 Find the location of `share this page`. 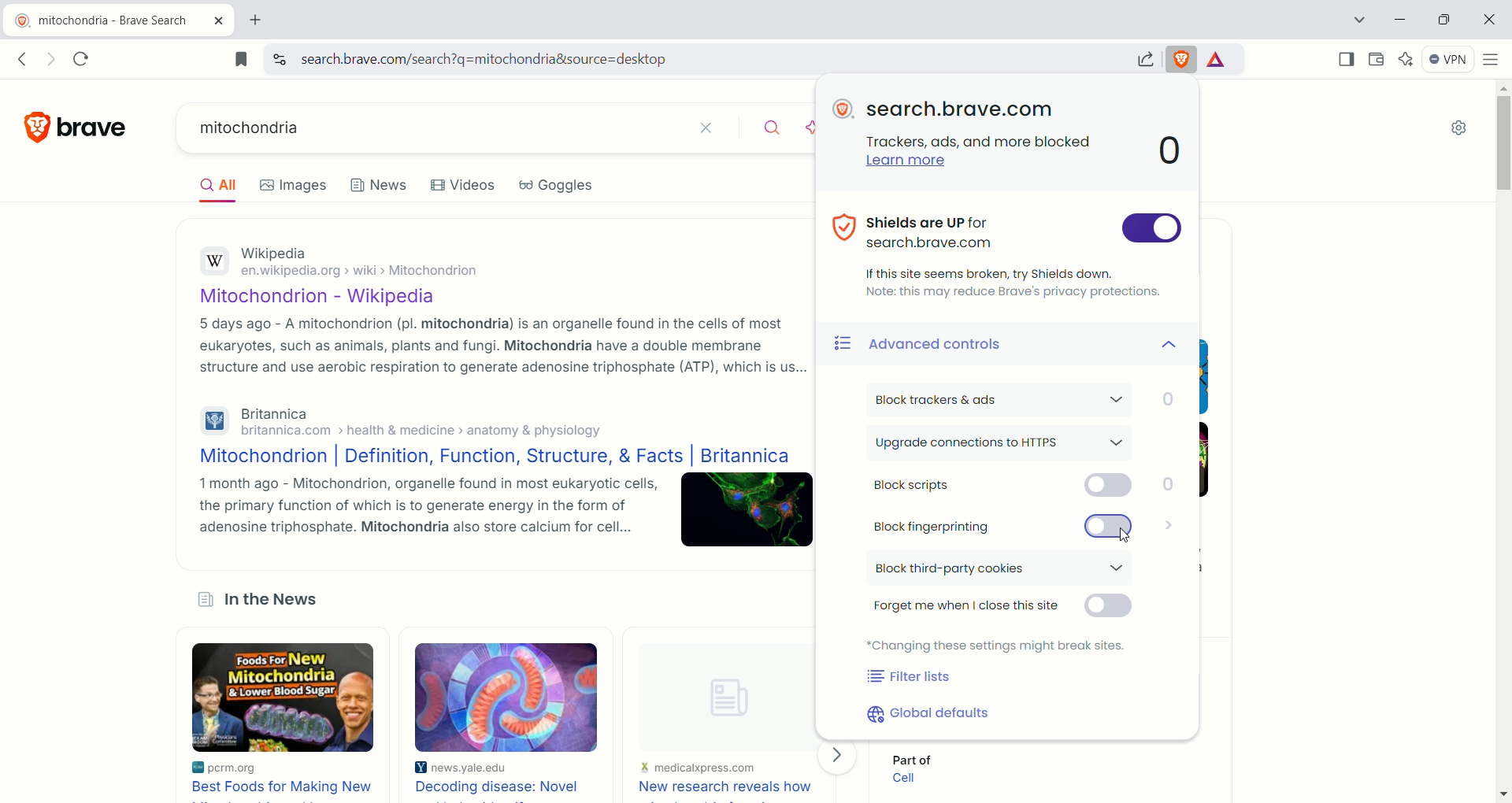

share this page is located at coordinates (1144, 57).